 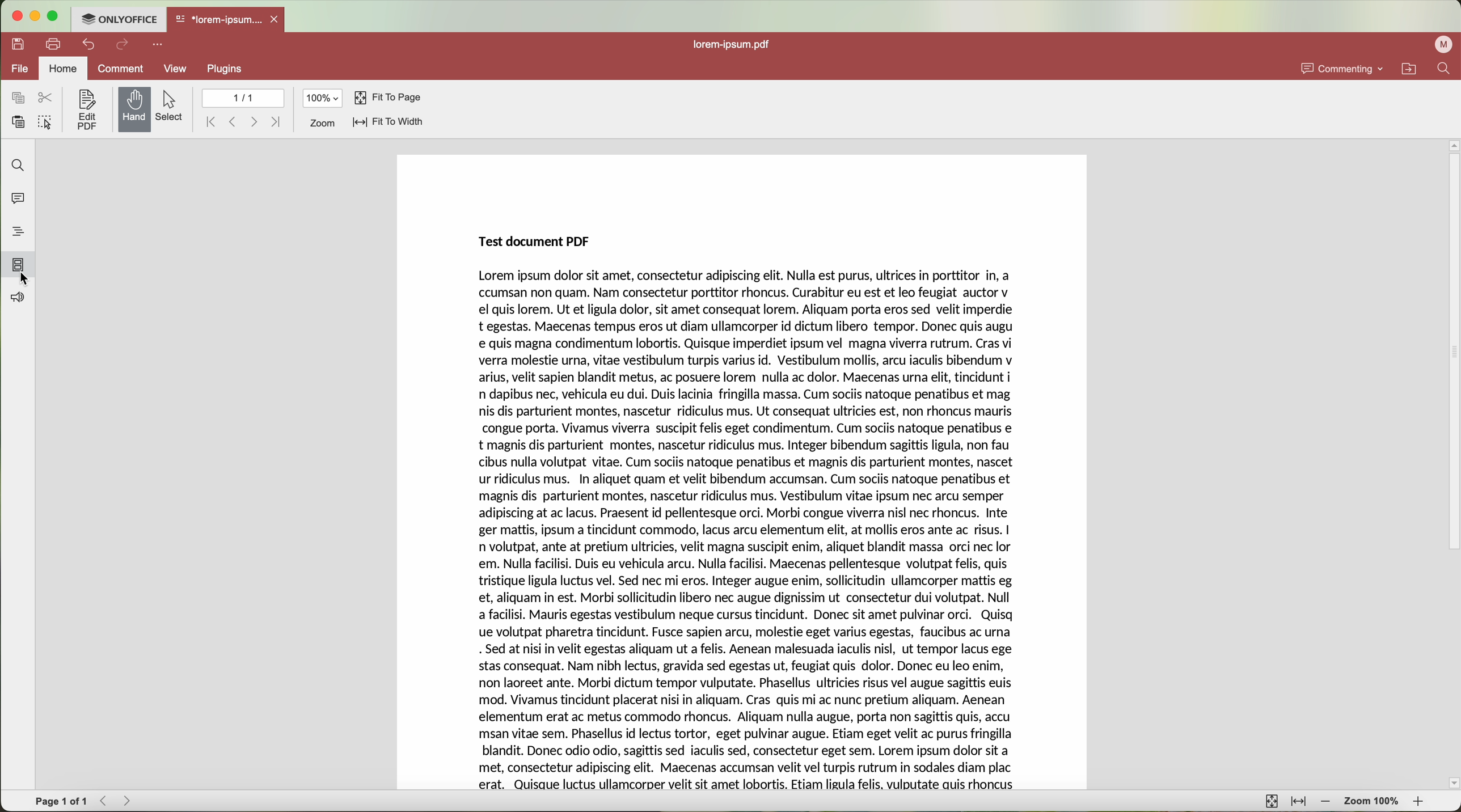 I want to click on commenting, so click(x=1343, y=68).